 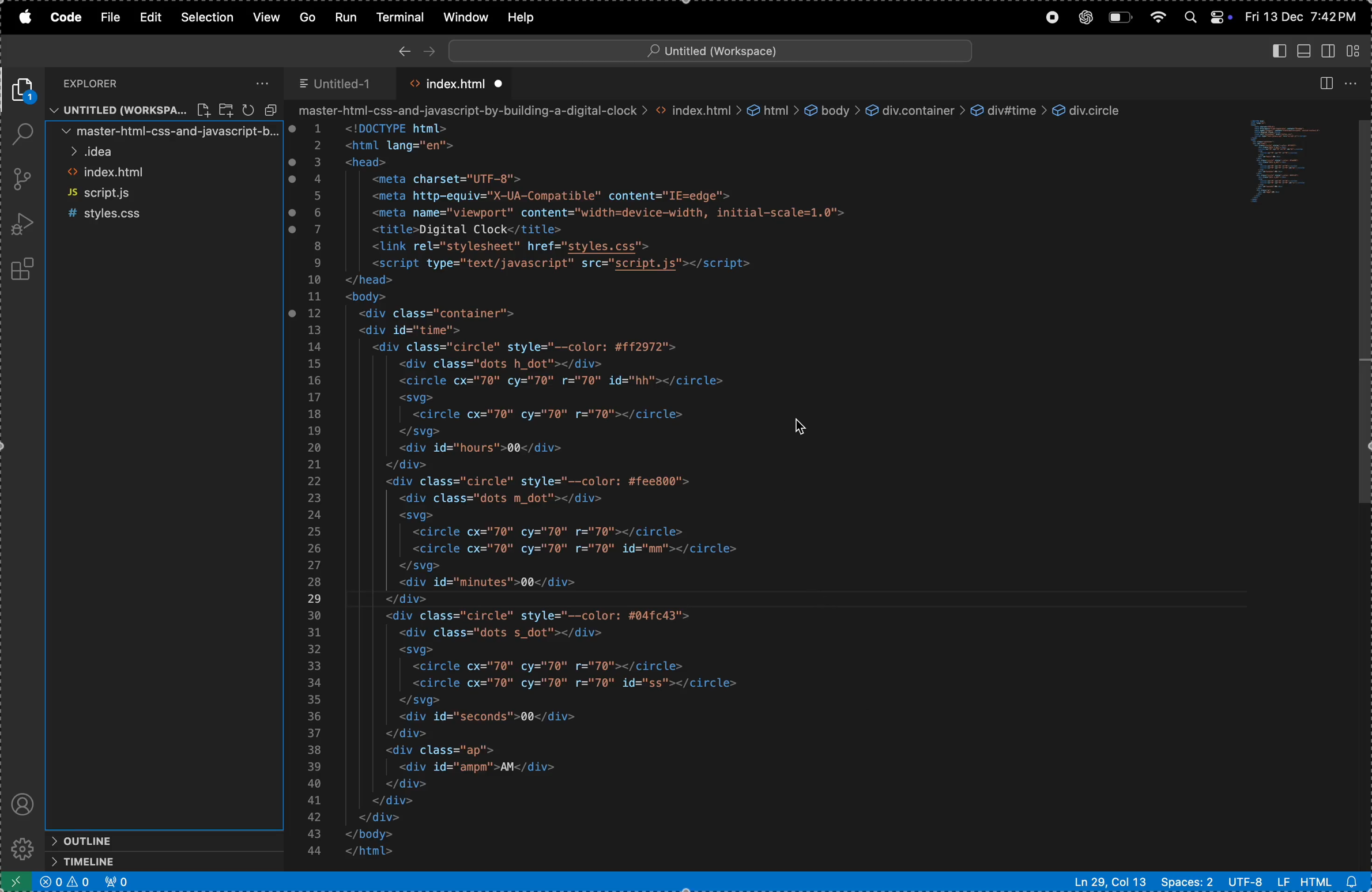 I want to click on CODE, so click(x=66, y=18).